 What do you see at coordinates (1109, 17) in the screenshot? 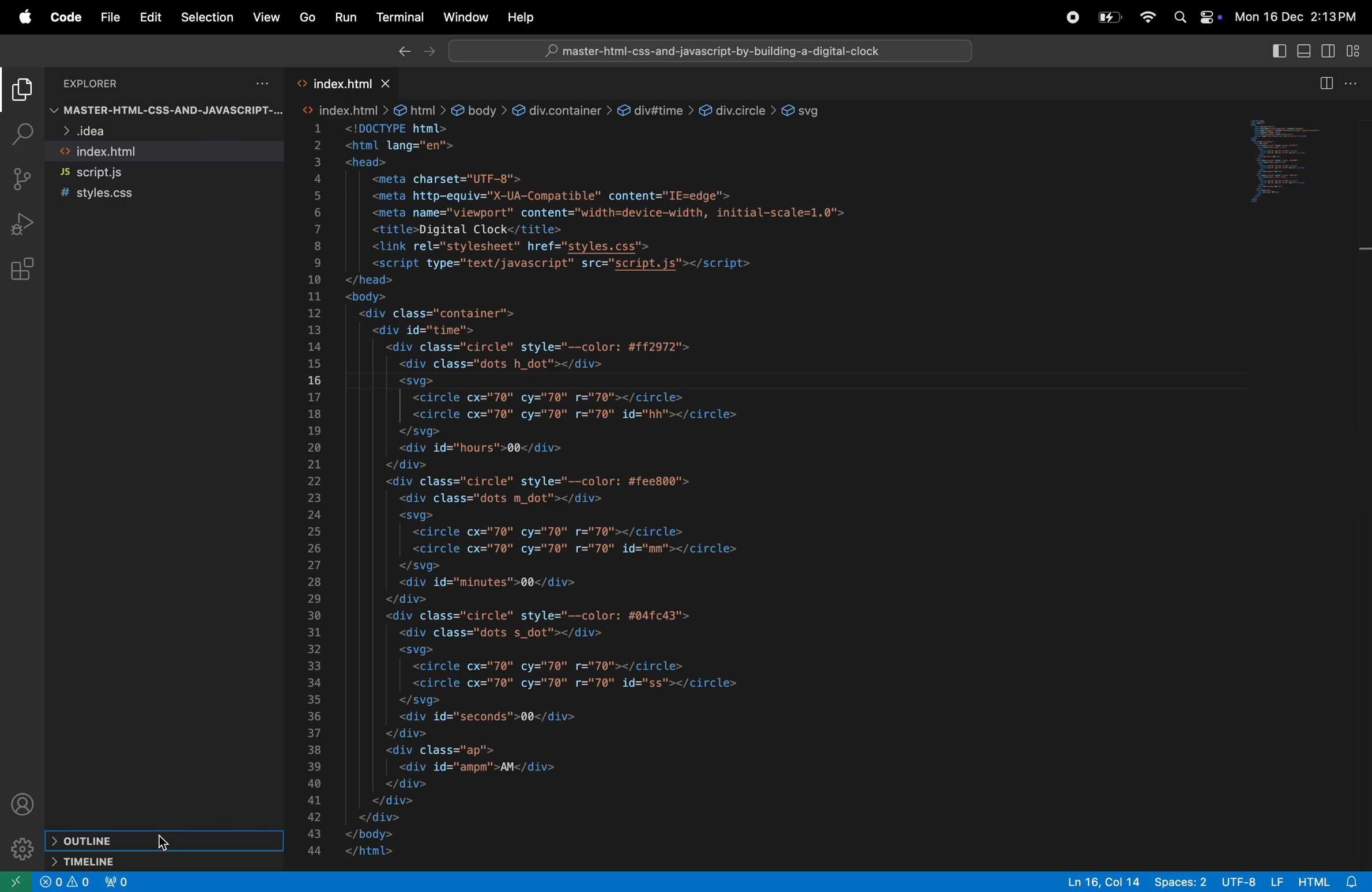
I see `battery` at bounding box center [1109, 17].